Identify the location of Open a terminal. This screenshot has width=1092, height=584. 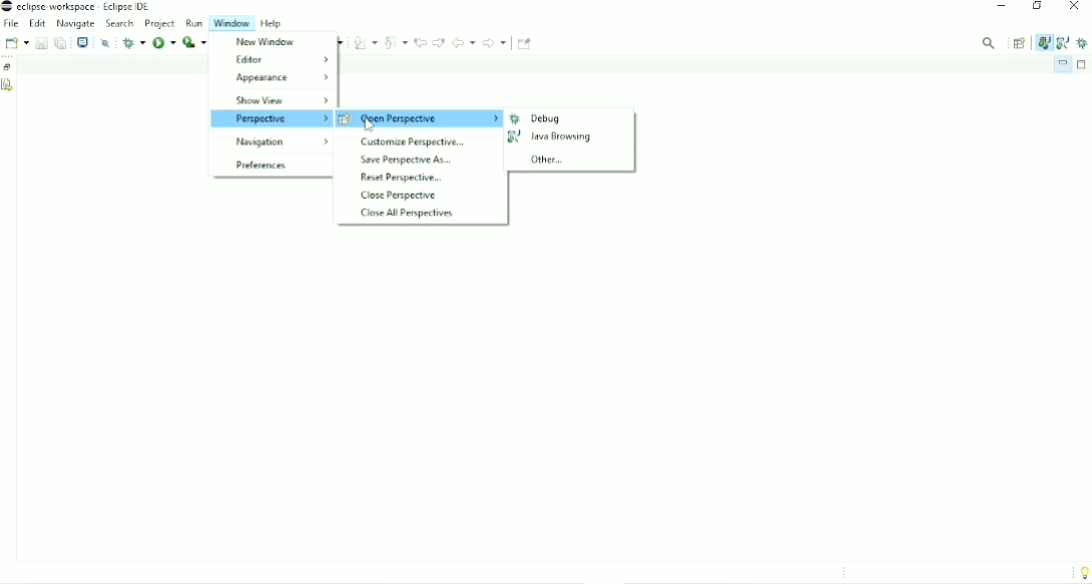
(84, 42).